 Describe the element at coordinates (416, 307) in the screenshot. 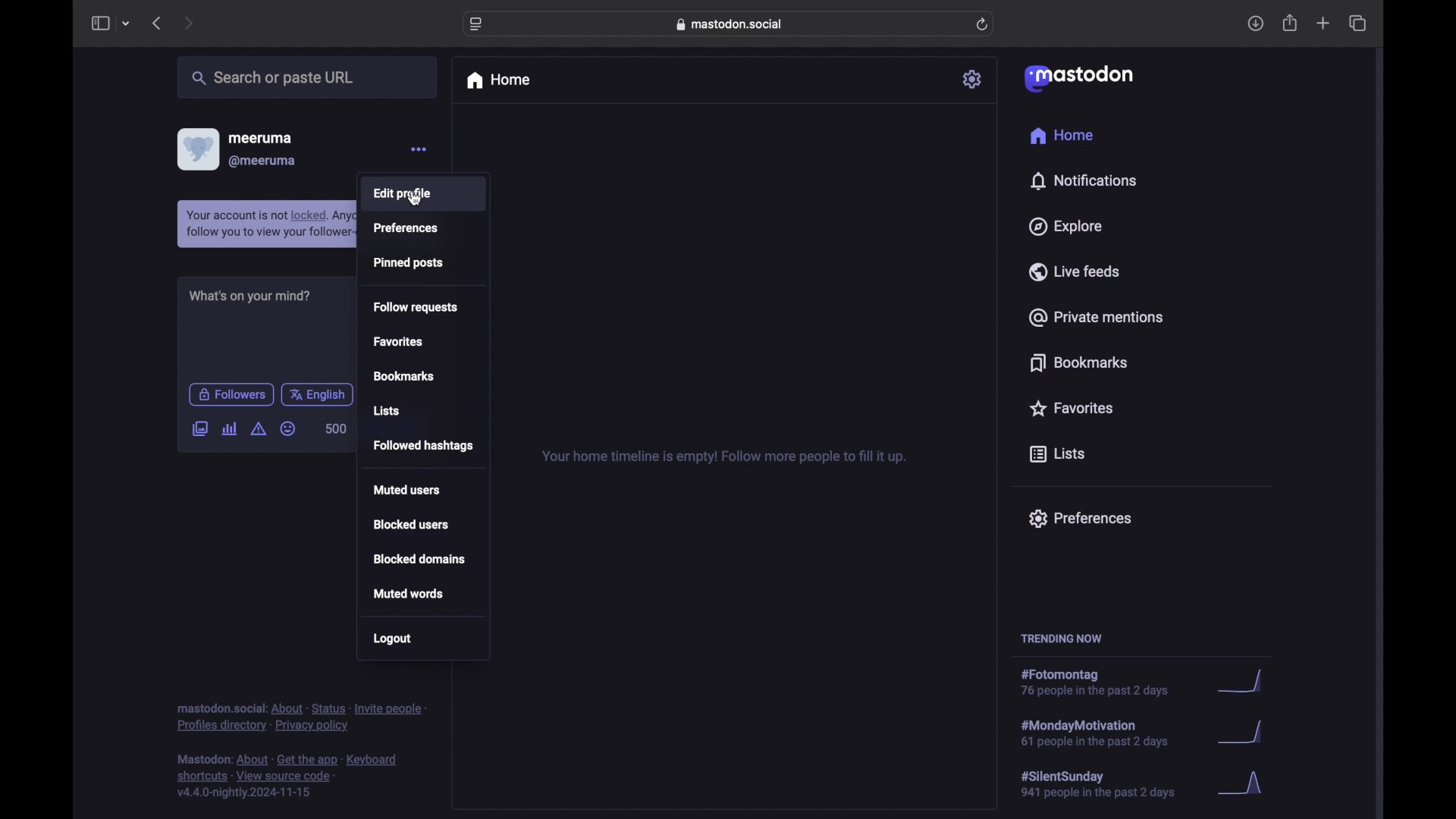

I see `follow requests` at that location.